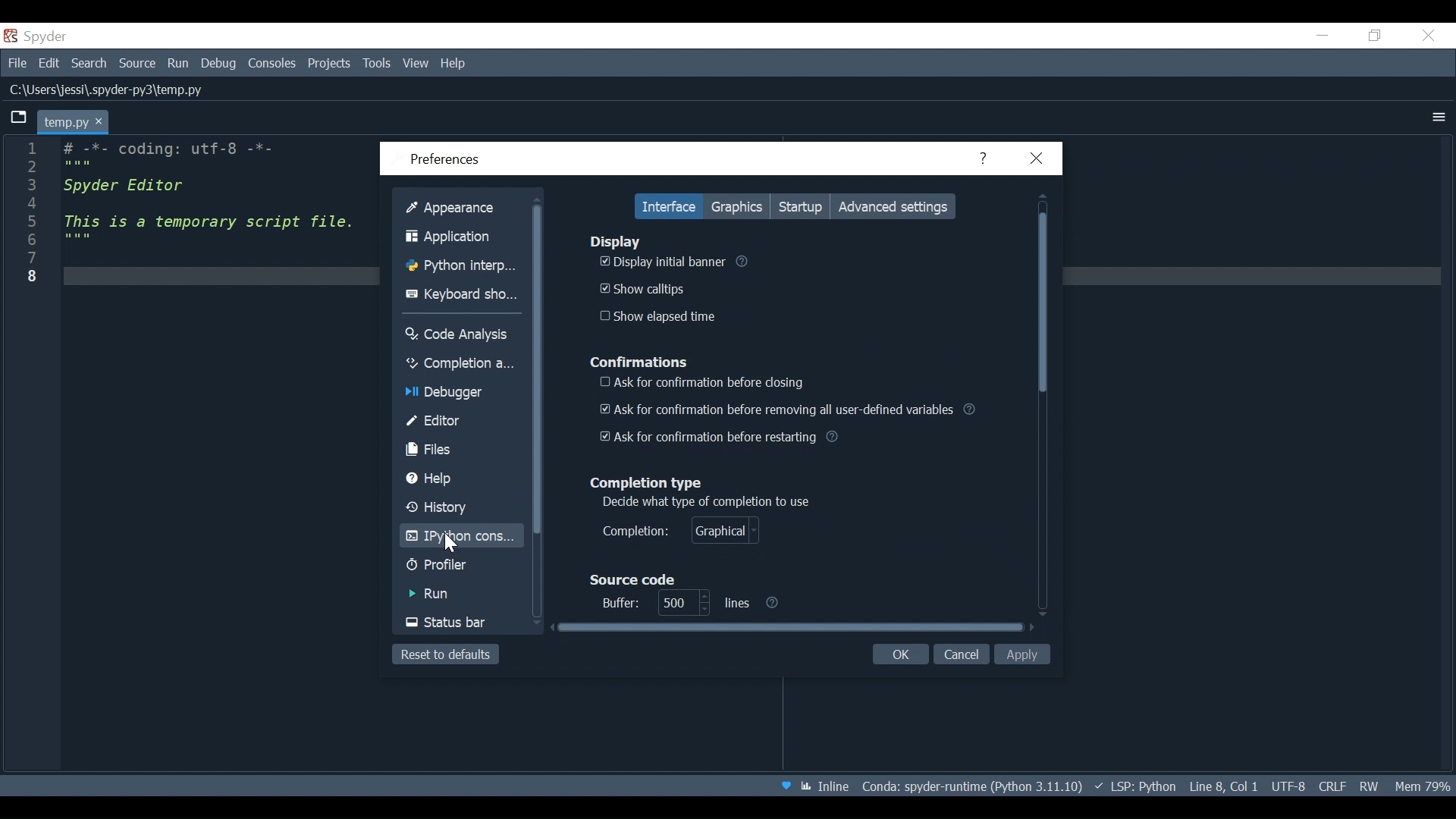  I want to click on File Encoding, so click(1288, 786).